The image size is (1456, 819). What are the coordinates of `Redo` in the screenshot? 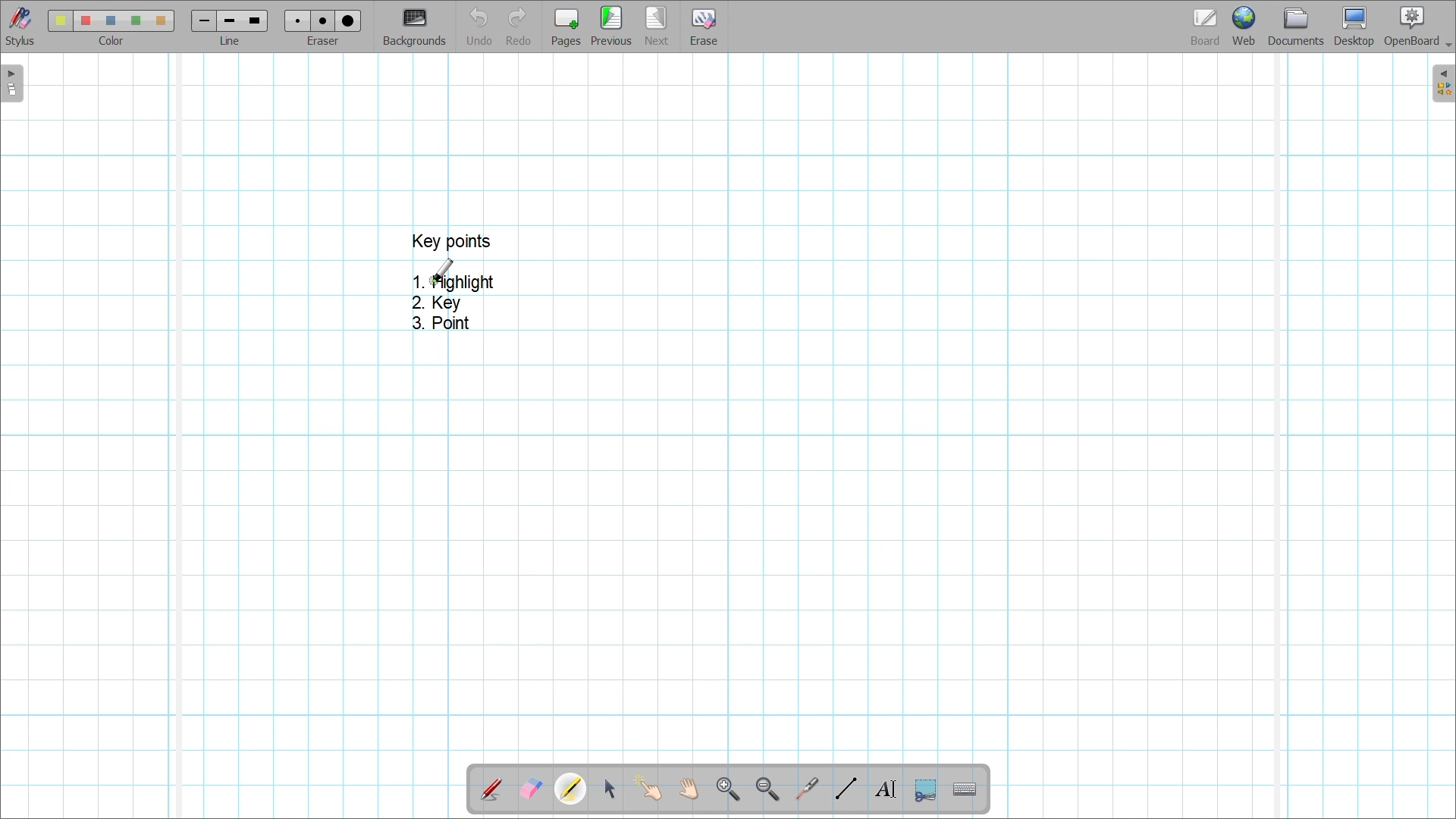 It's located at (519, 26).